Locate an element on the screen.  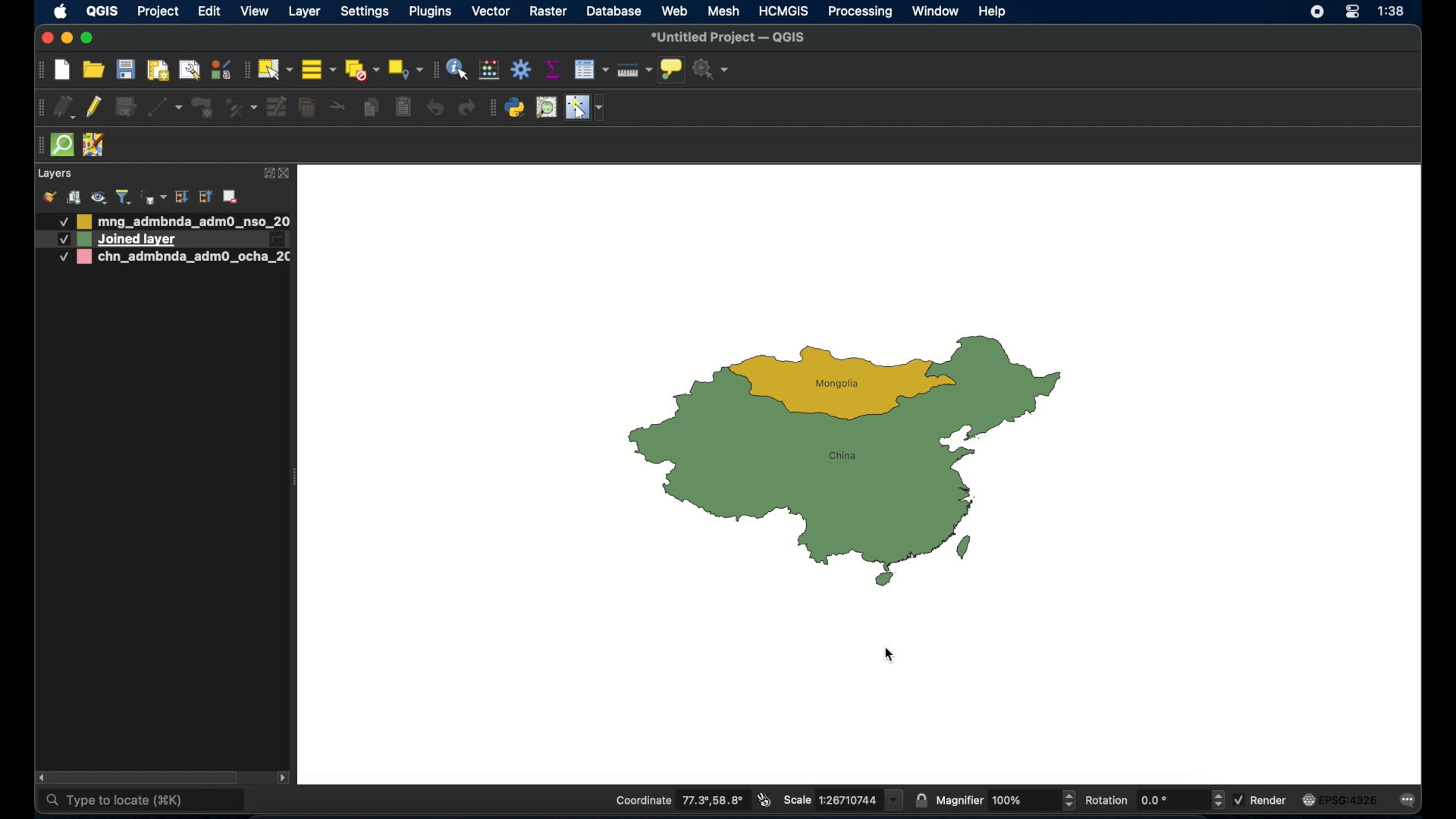
layer 1 is located at coordinates (186, 221).